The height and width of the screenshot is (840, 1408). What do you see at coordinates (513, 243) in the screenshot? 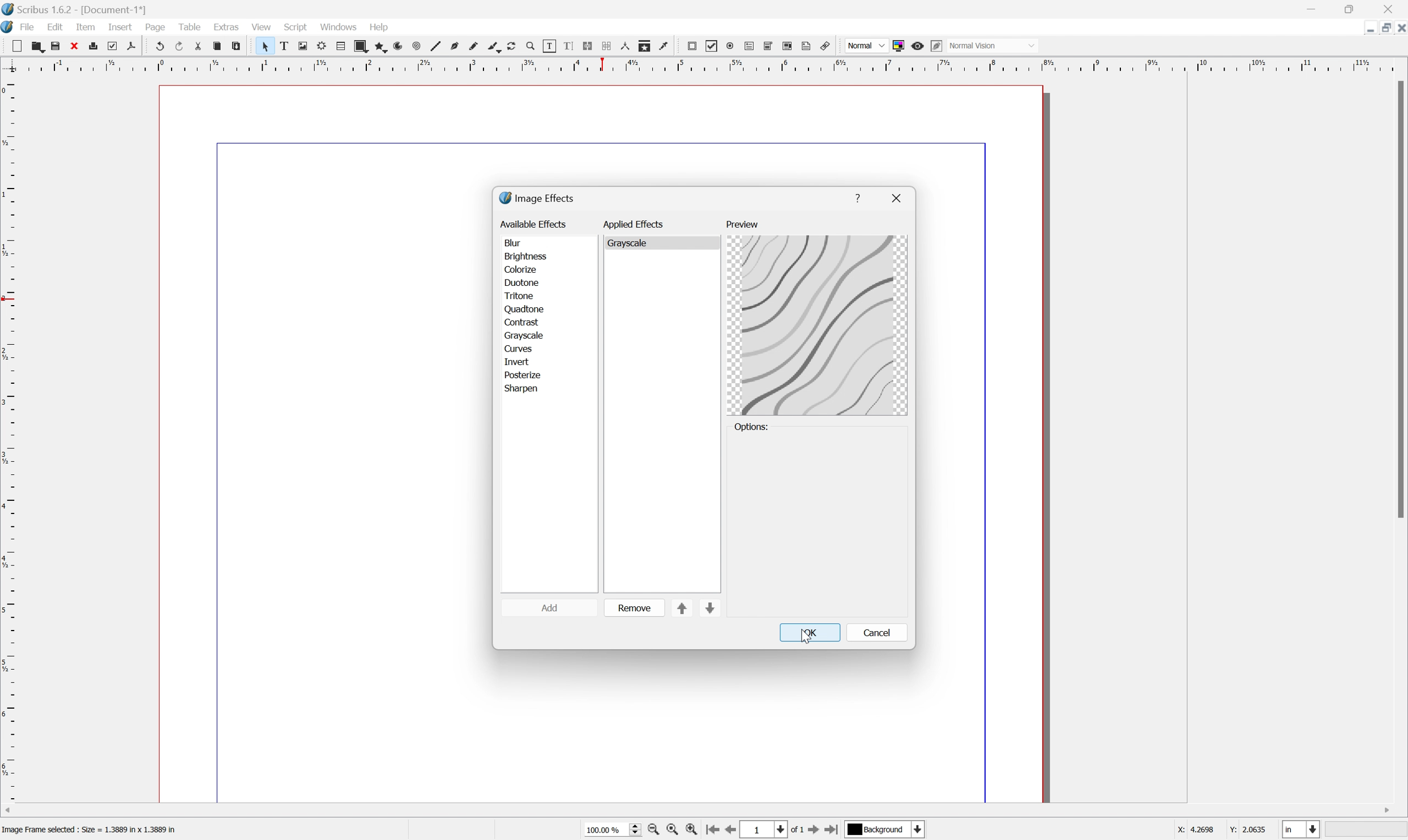
I see `blur` at bounding box center [513, 243].